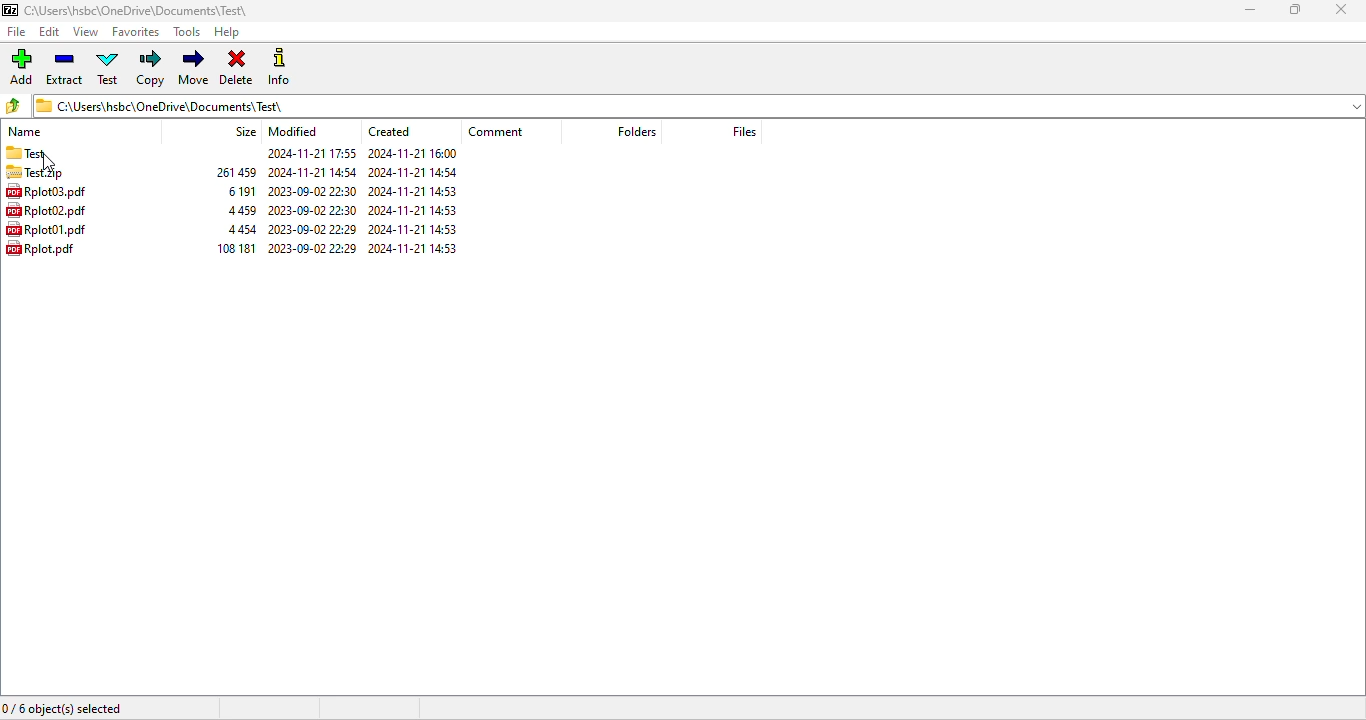 The width and height of the screenshot is (1366, 720). Describe the element at coordinates (26, 153) in the screenshot. I see `test ` at that location.